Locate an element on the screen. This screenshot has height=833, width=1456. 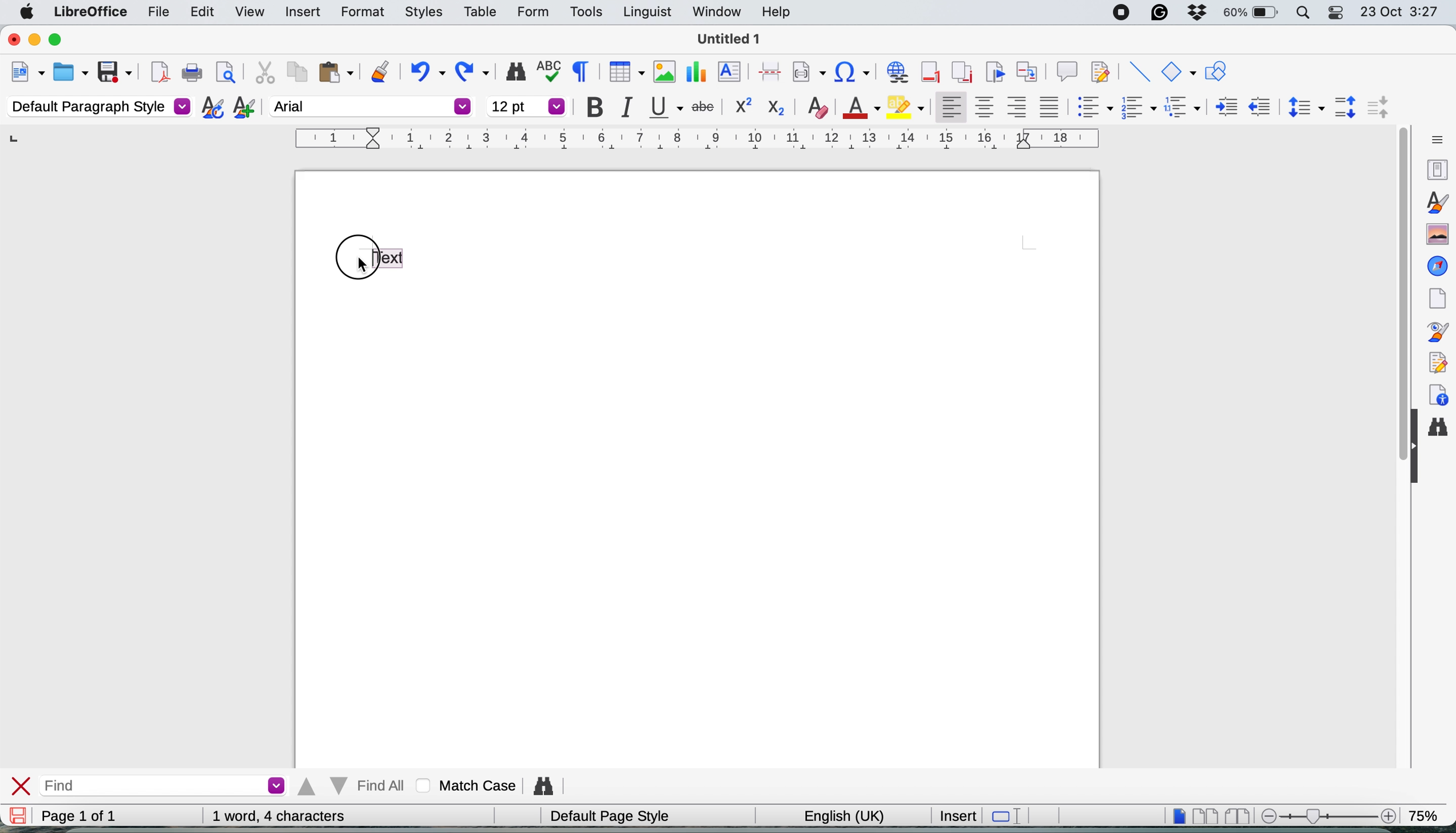
toggle unordered list is located at coordinates (1092, 110).